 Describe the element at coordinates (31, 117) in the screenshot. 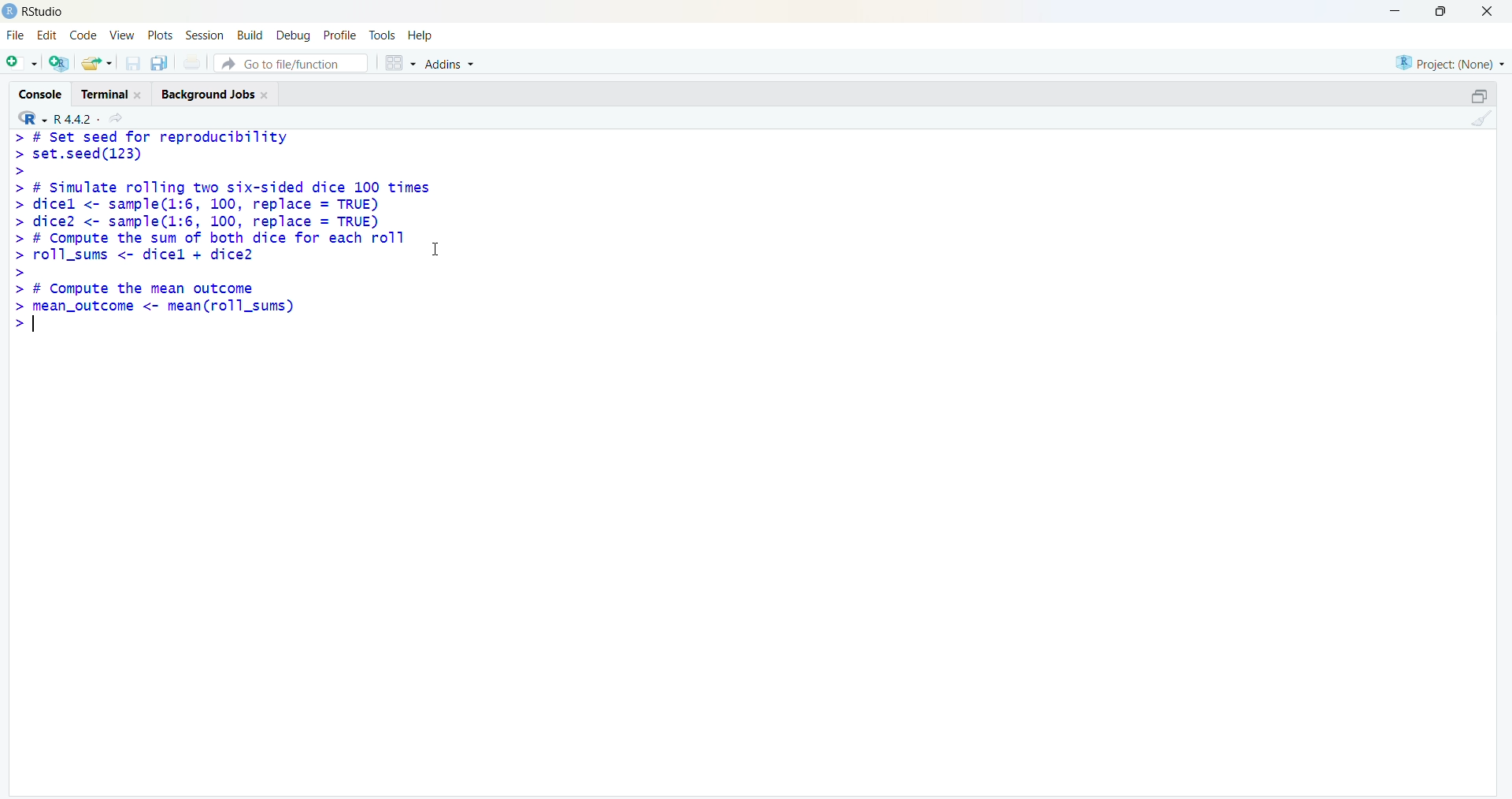

I see `R` at that location.